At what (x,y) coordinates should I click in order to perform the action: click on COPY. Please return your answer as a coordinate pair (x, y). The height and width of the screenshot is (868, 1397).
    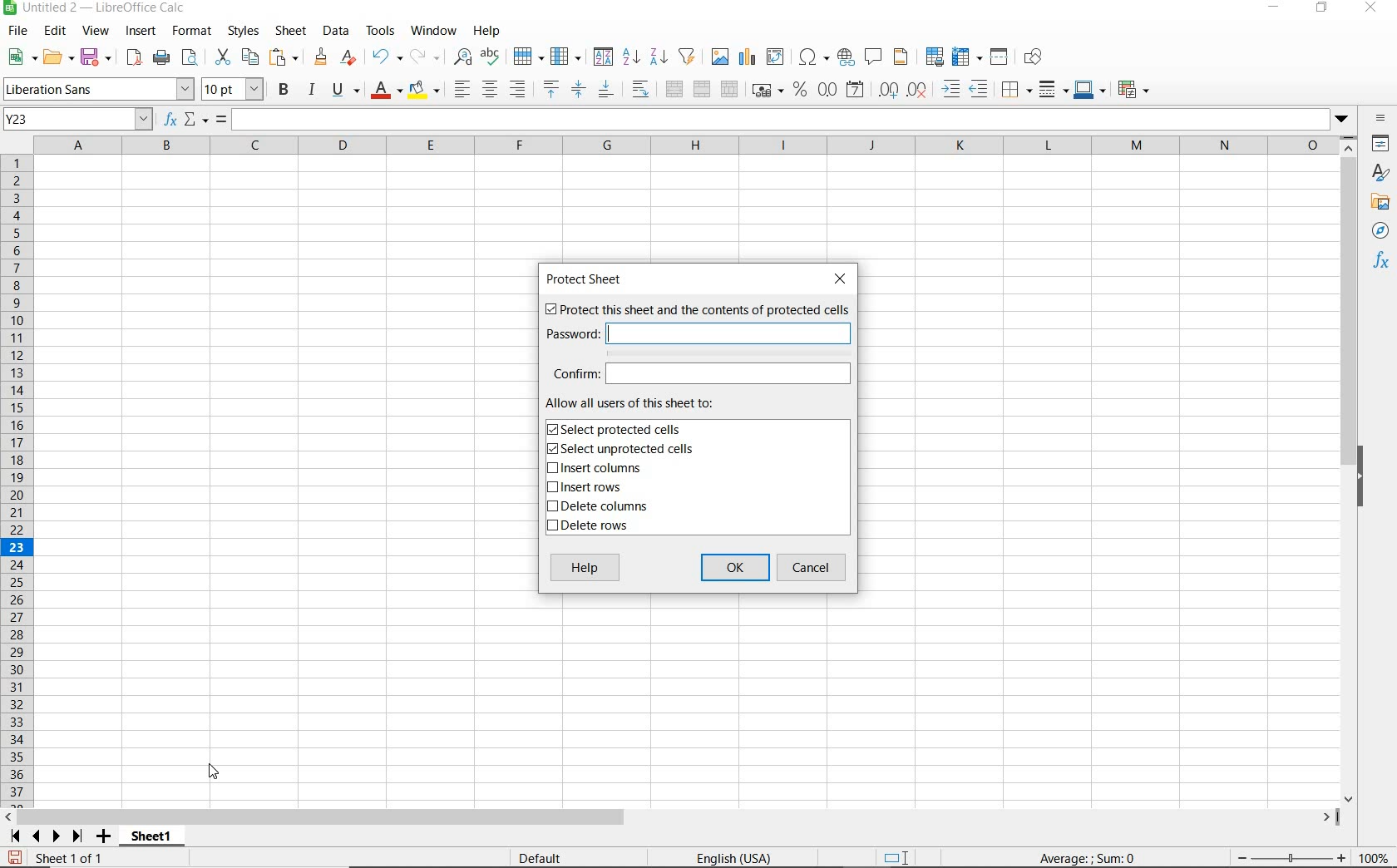
    Looking at the image, I should click on (250, 57).